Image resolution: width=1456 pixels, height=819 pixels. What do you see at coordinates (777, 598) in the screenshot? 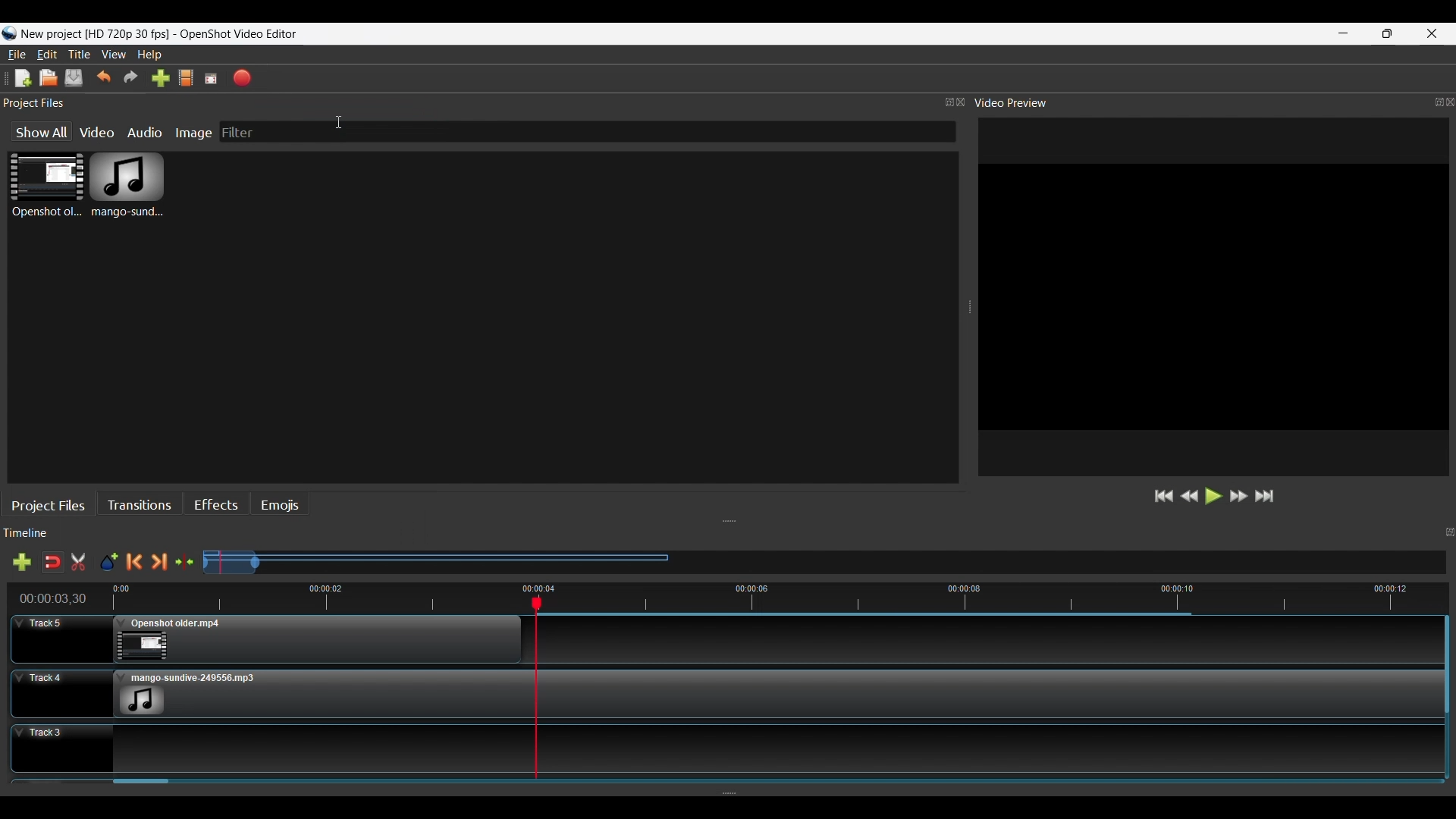
I see `Slider` at bounding box center [777, 598].